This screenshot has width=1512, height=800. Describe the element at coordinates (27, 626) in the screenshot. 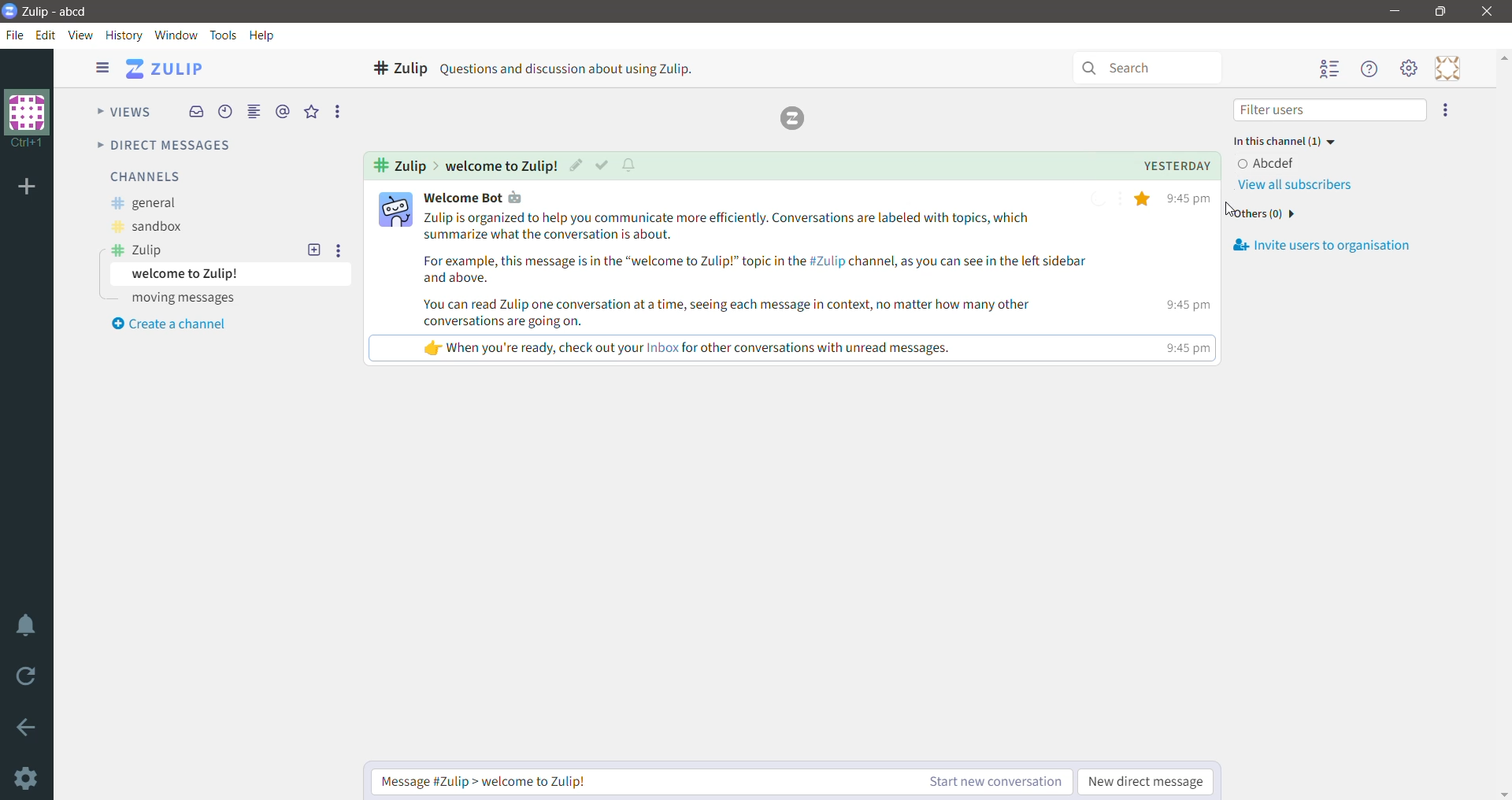

I see `Enable Do Not Disturb` at that location.